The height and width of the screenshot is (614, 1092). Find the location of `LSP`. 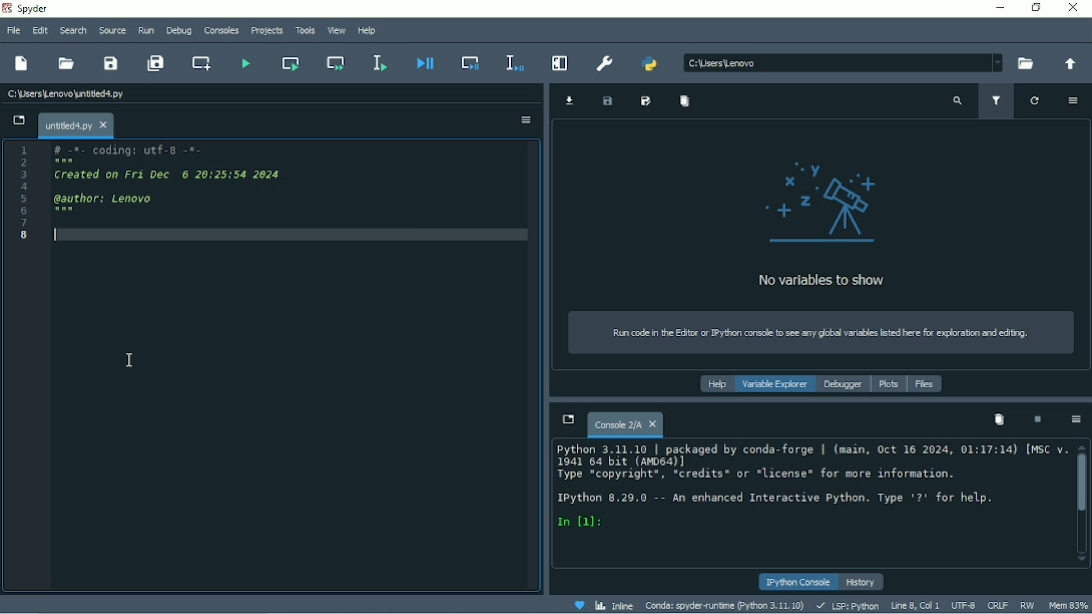

LSP is located at coordinates (847, 606).